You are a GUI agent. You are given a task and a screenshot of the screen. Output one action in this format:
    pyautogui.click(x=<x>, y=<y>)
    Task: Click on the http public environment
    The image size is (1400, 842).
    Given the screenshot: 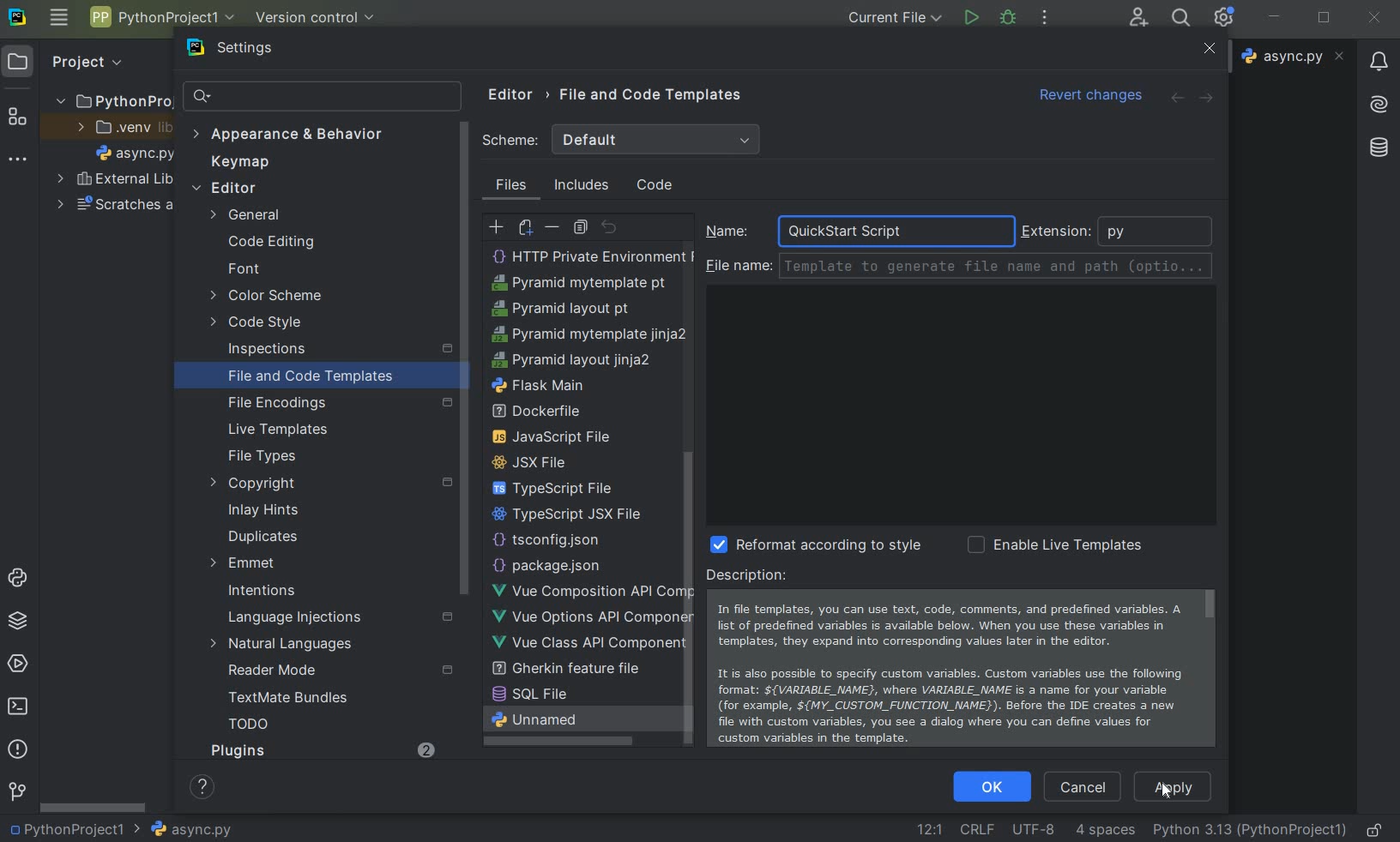 What is the action you would take?
    pyautogui.click(x=590, y=588)
    